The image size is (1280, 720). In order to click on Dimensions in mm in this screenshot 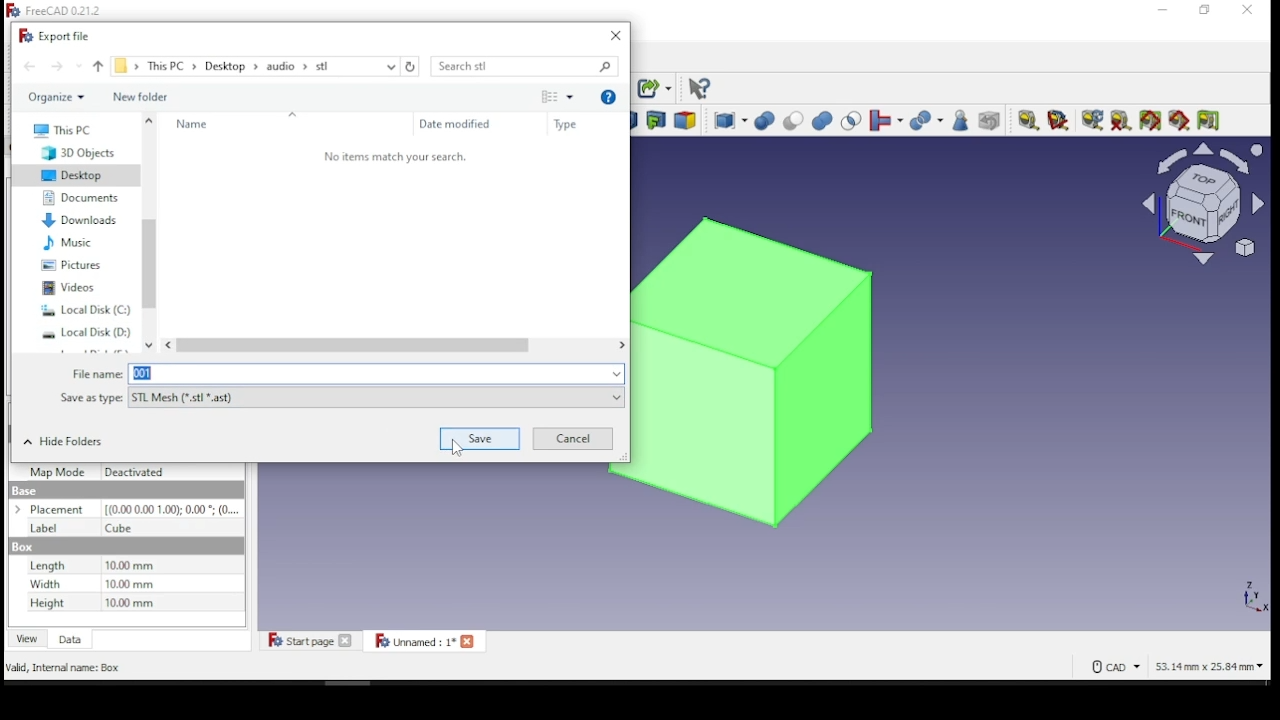, I will do `click(131, 585)`.